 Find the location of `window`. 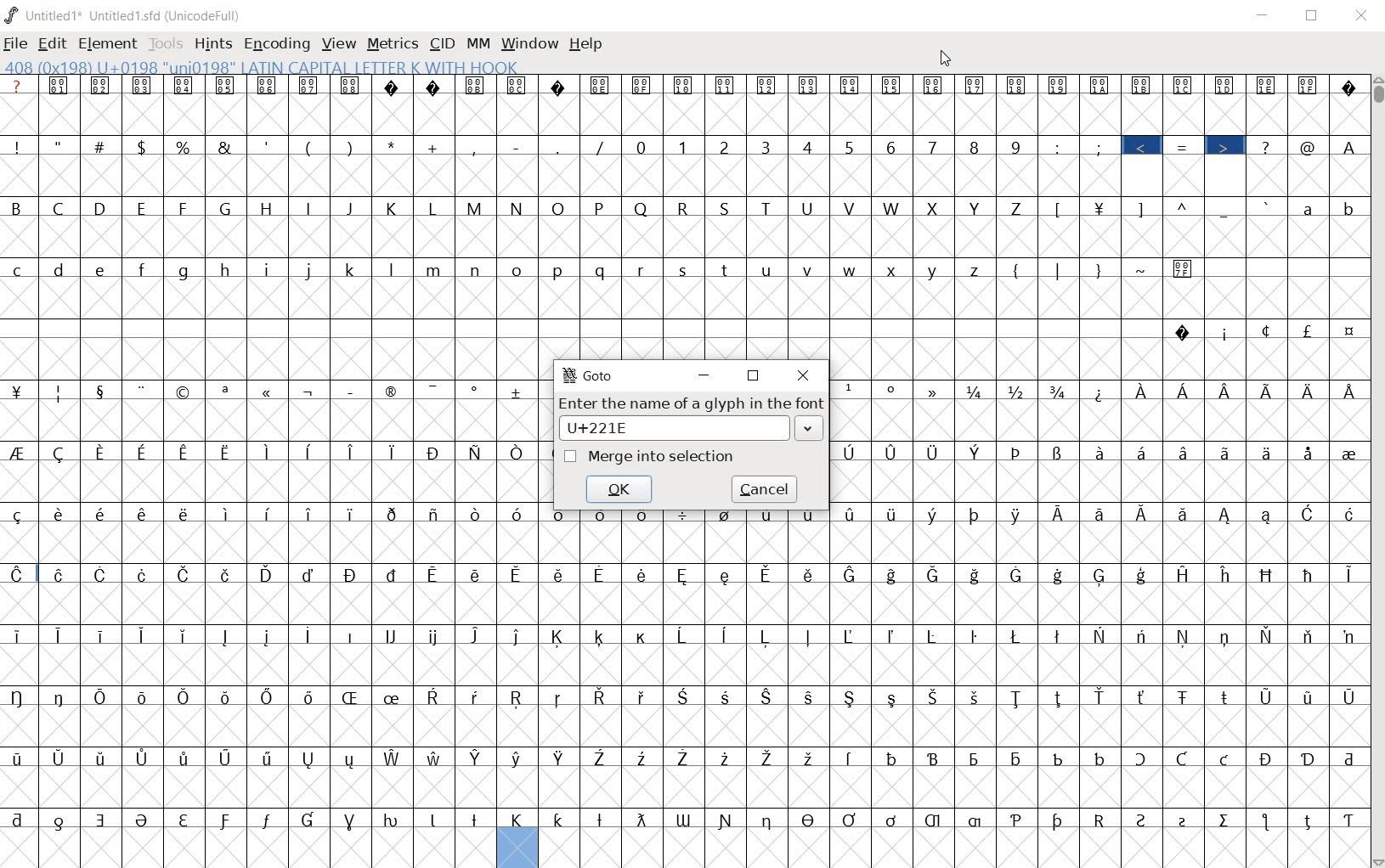

window is located at coordinates (529, 45).